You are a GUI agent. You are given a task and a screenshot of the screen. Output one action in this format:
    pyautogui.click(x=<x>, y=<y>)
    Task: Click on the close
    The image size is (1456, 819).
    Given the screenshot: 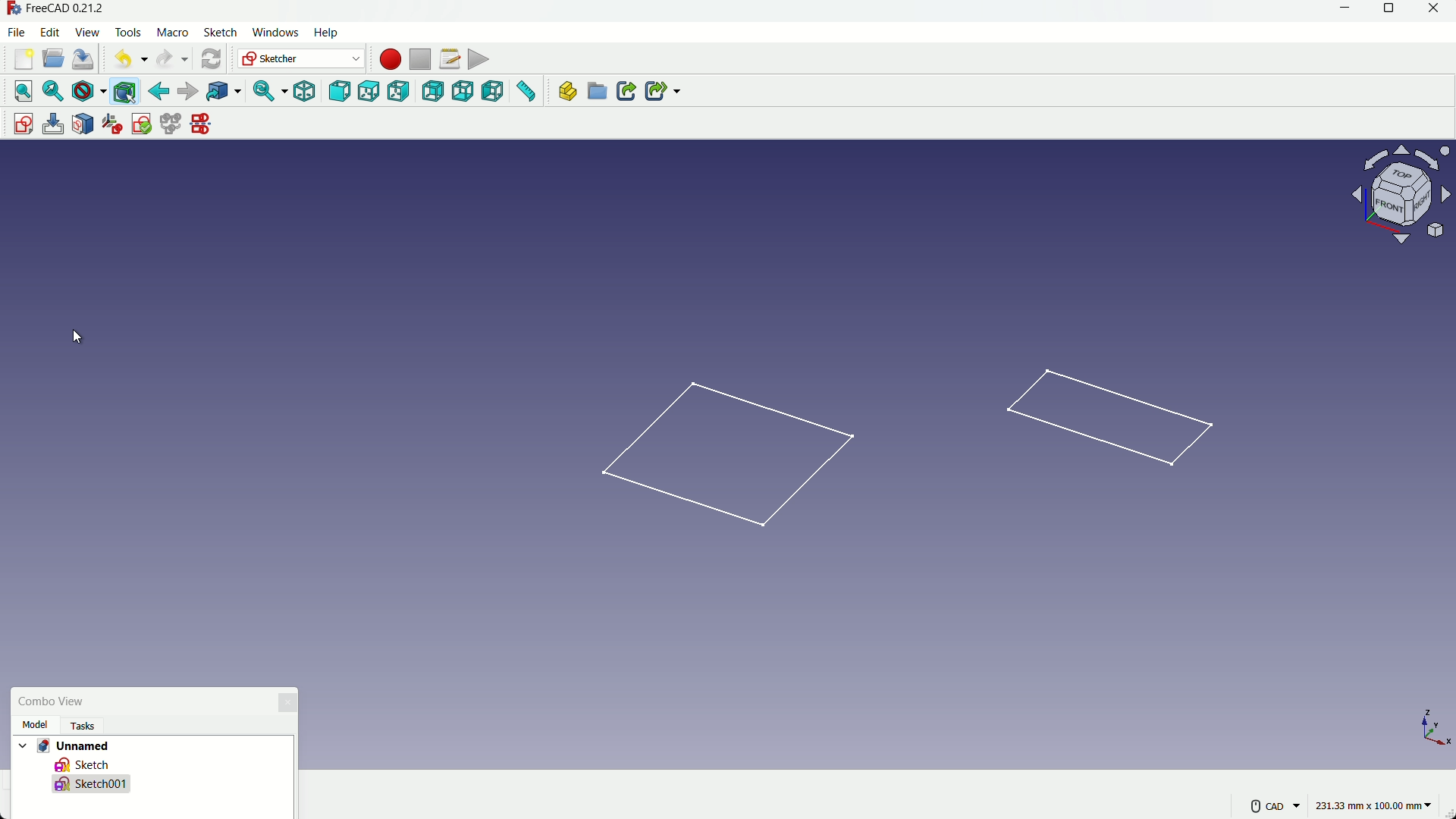 What is the action you would take?
    pyautogui.click(x=287, y=703)
    